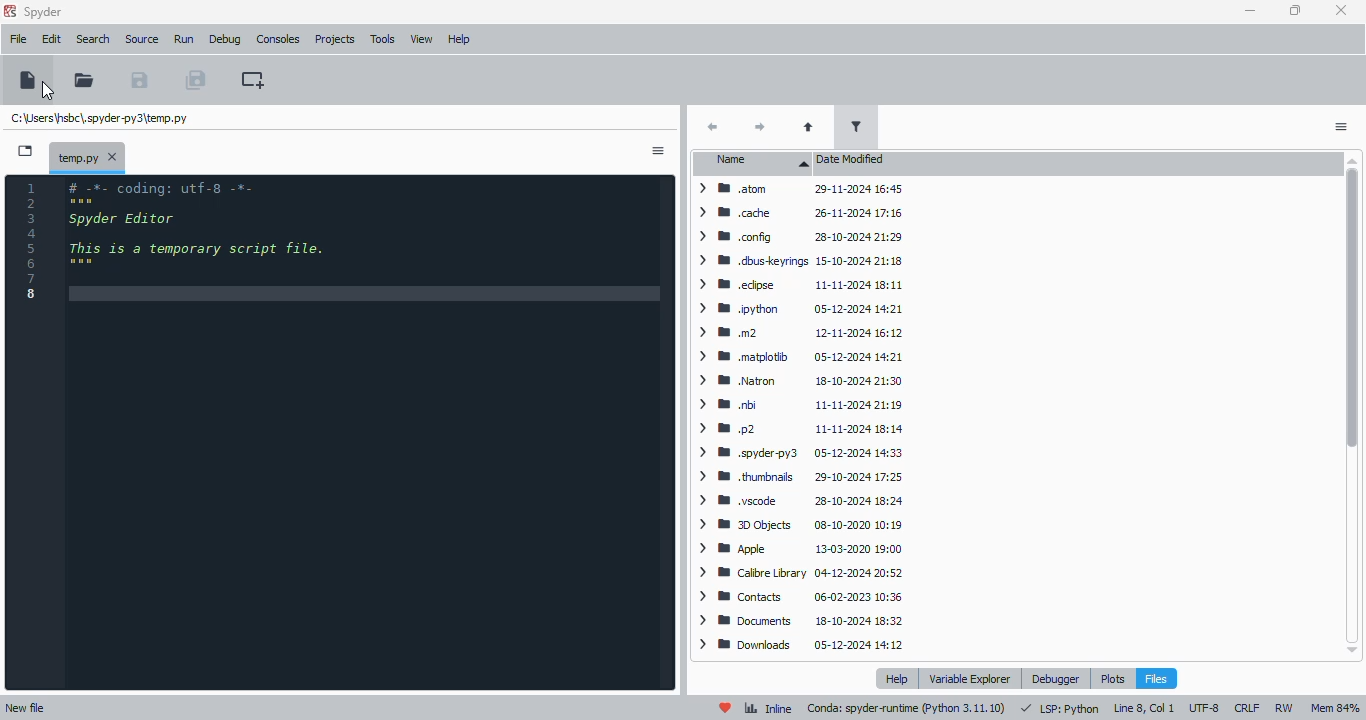 The height and width of the screenshot is (720, 1366). What do you see at coordinates (1284, 707) in the screenshot?
I see `RW` at bounding box center [1284, 707].